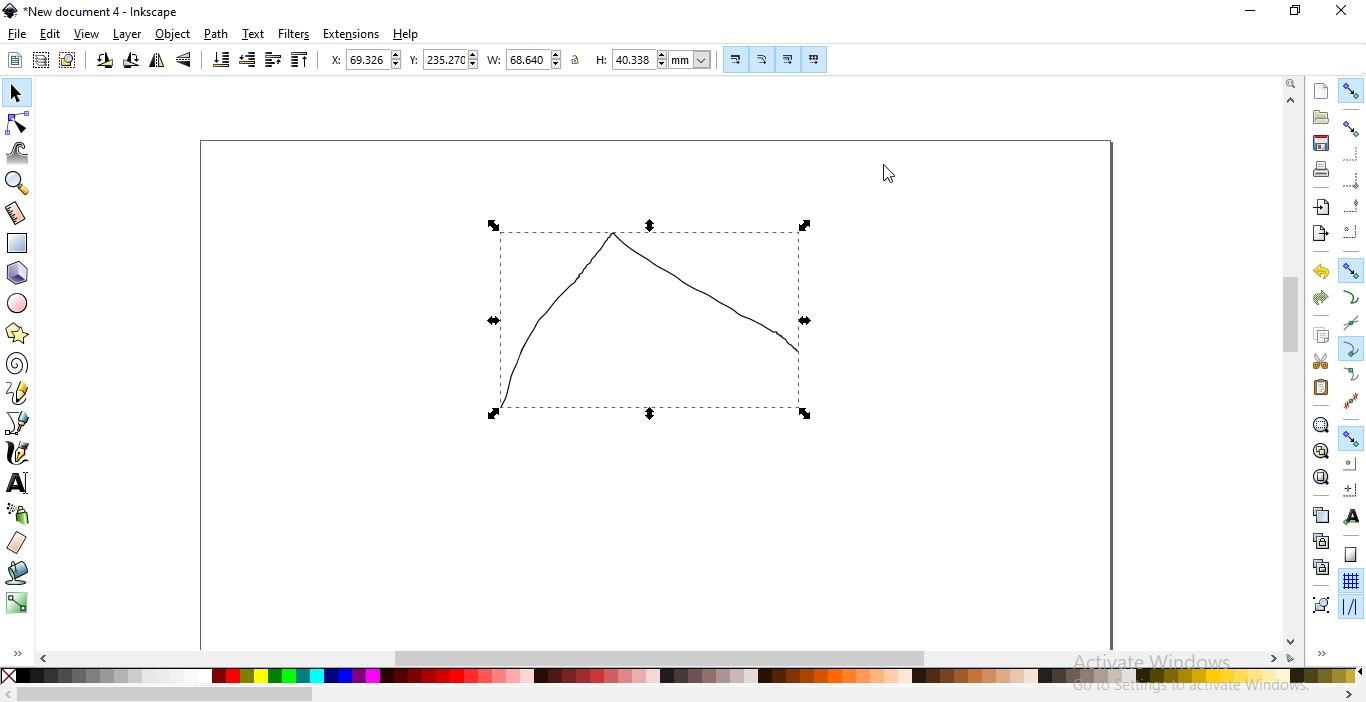 The height and width of the screenshot is (702, 1366). Describe the element at coordinates (17, 34) in the screenshot. I see `file` at that location.